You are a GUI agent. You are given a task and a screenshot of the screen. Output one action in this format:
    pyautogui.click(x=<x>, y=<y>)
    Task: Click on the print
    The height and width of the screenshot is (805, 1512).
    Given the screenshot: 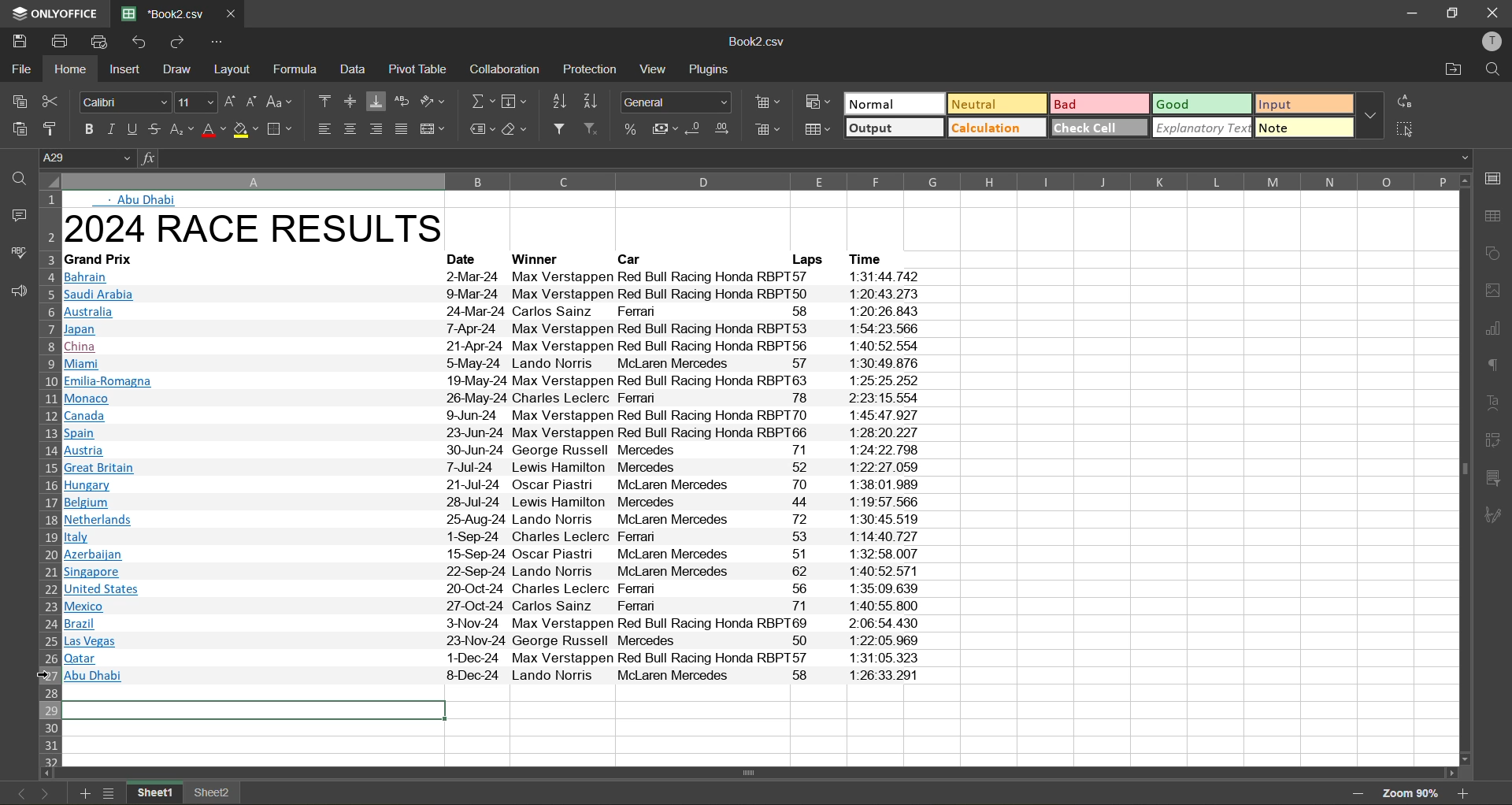 What is the action you would take?
    pyautogui.click(x=59, y=40)
    